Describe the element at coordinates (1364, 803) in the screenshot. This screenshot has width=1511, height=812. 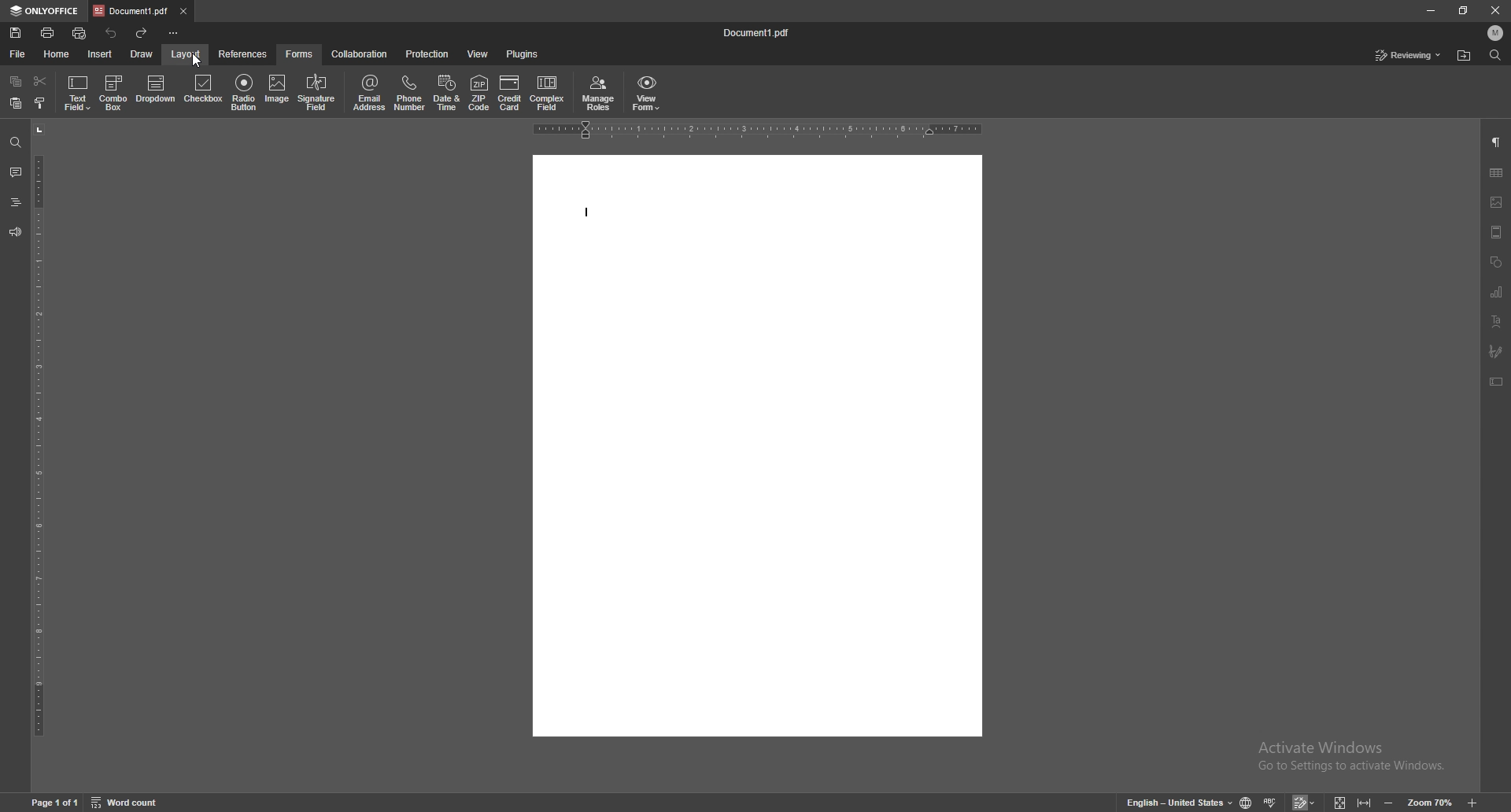
I see `fit to width` at that location.